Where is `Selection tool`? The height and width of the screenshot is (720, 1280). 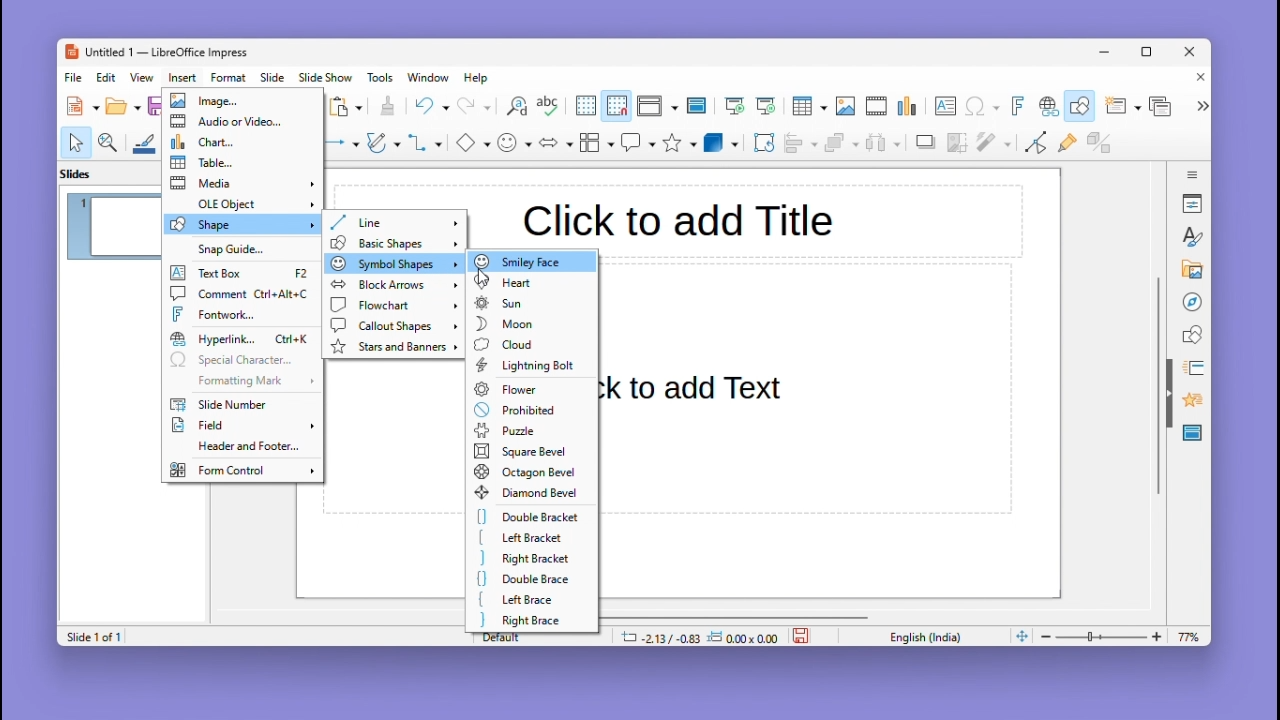
Selection tool is located at coordinates (75, 142).